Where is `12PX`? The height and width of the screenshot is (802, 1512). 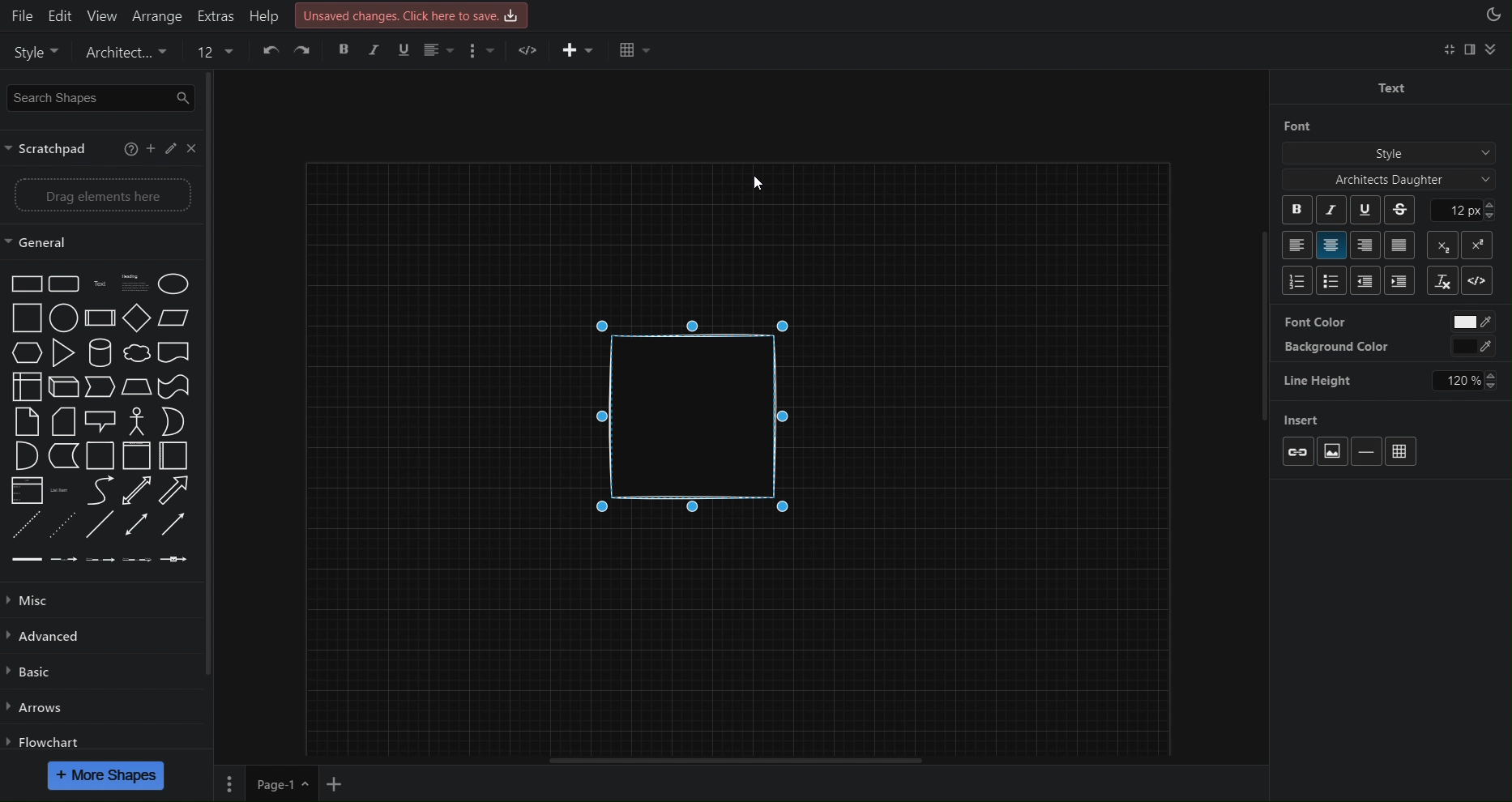 12PX is located at coordinates (1476, 210).